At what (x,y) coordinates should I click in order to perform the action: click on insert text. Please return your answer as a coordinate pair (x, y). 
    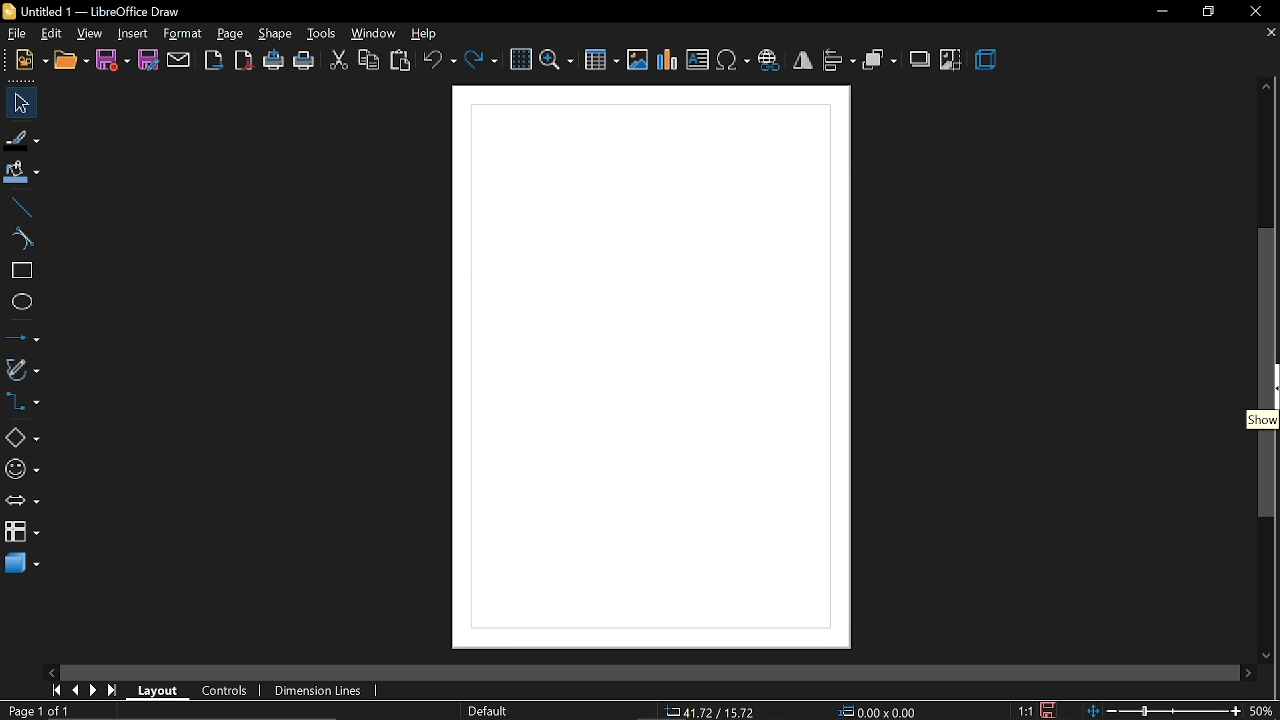
    Looking at the image, I should click on (699, 60).